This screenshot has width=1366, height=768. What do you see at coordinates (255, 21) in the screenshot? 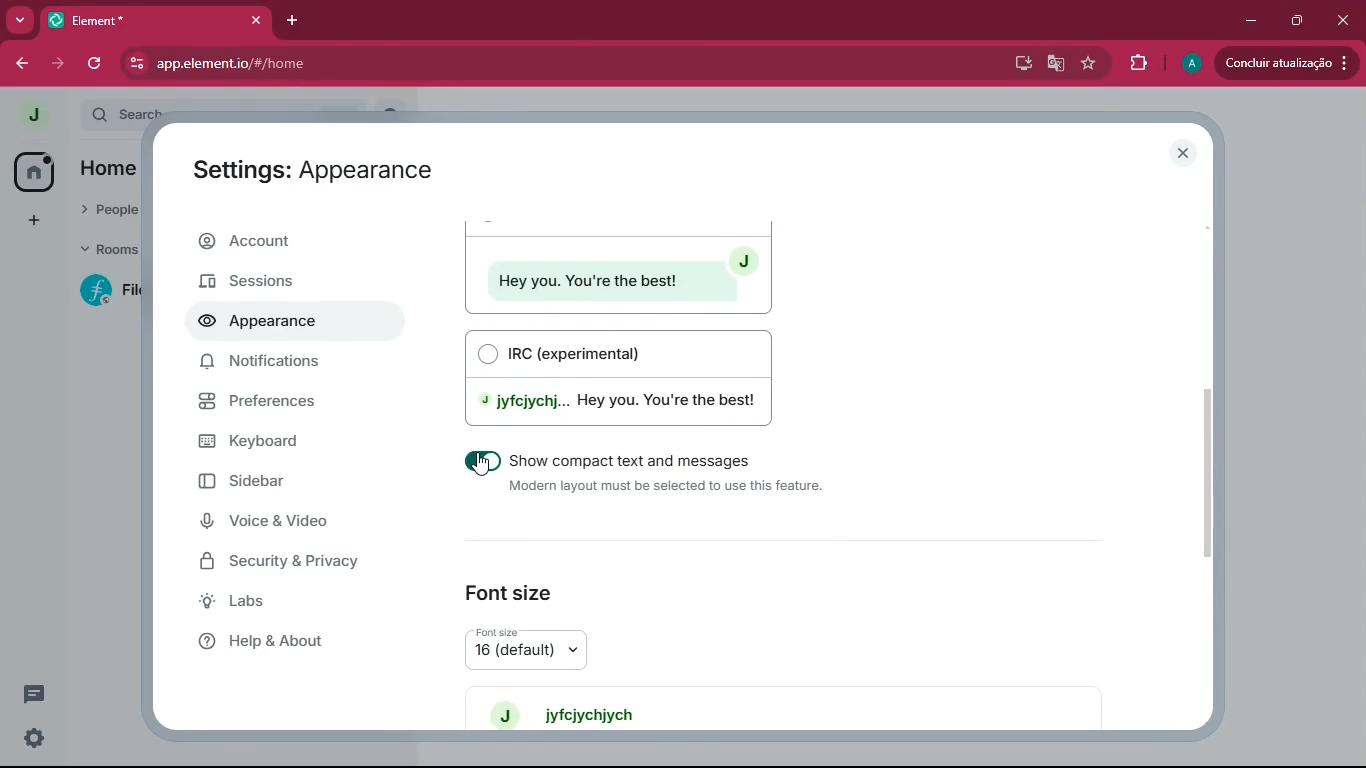
I see `close` at bounding box center [255, 21].